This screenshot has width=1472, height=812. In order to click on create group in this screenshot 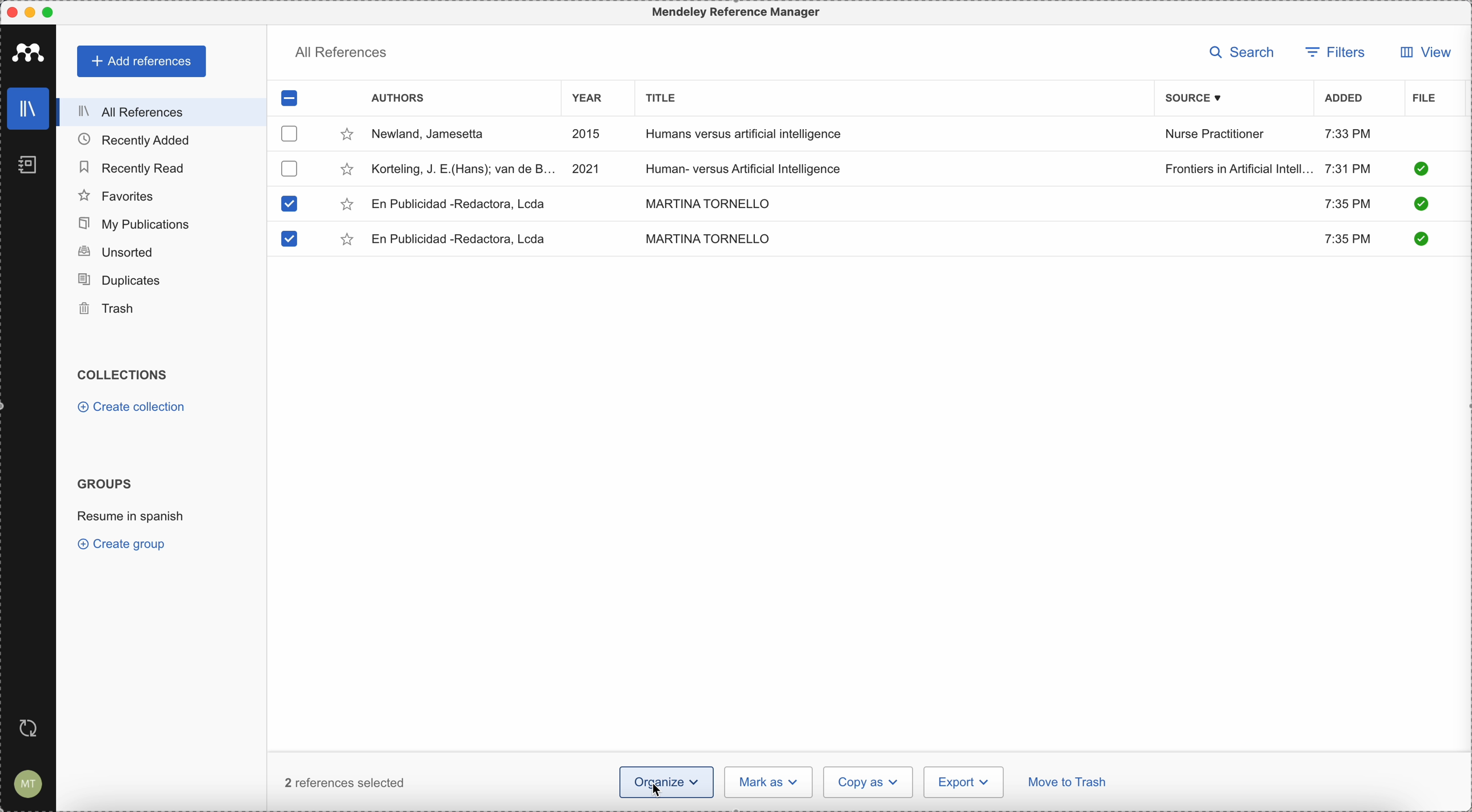, I will do `click(125, 543)`.